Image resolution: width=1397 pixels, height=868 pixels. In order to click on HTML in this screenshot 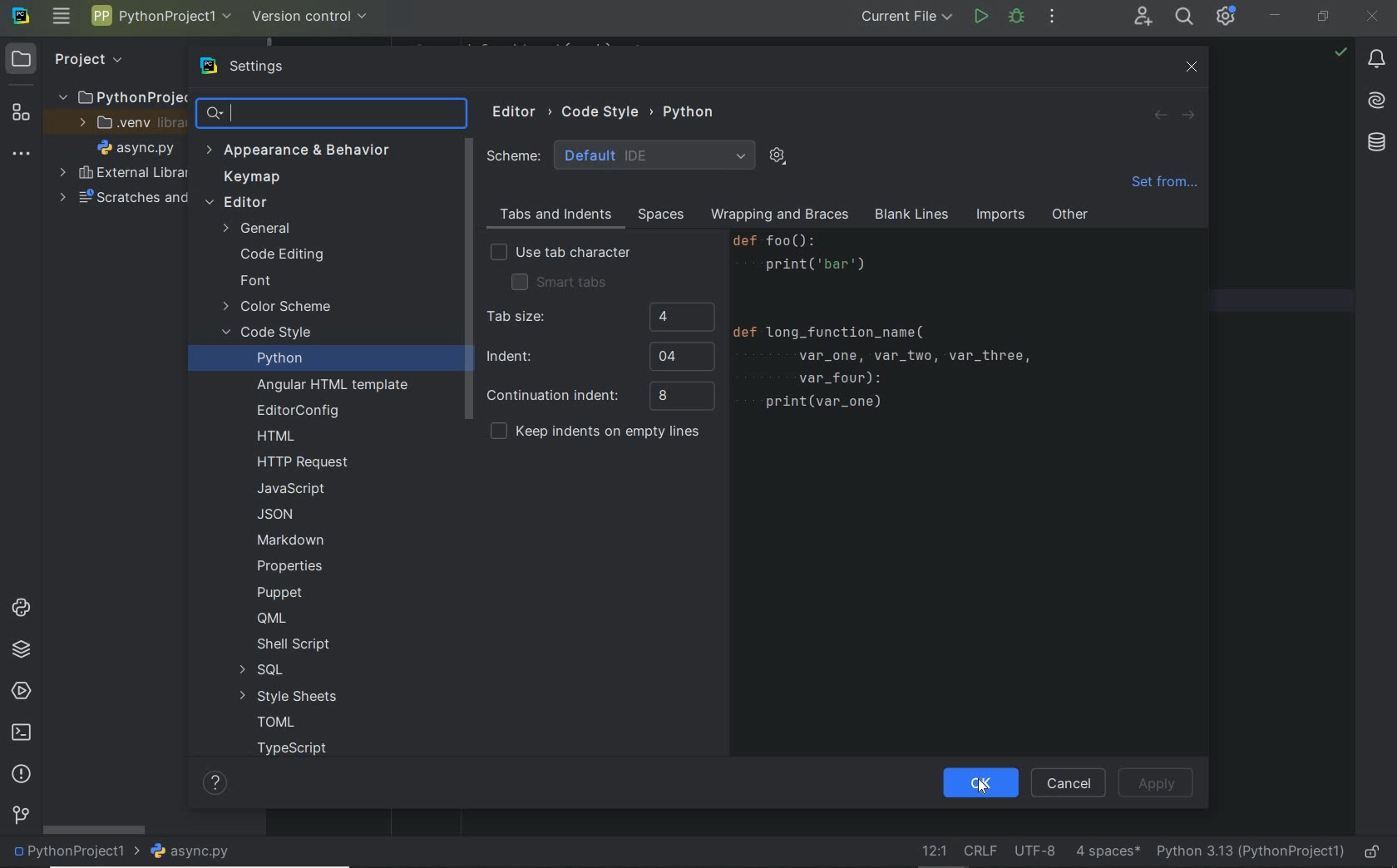, I will do `click(277, 437)`.